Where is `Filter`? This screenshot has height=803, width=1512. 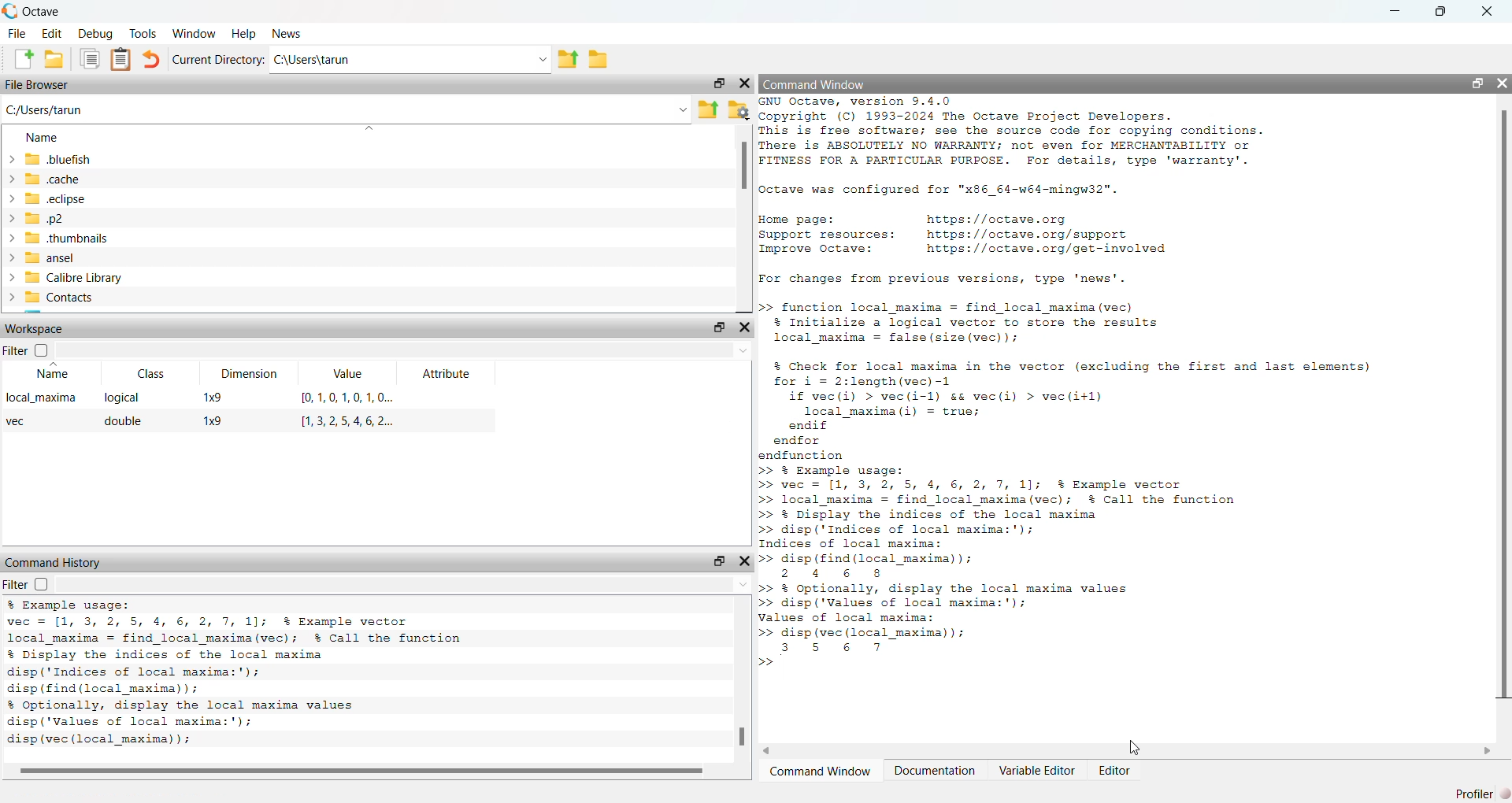 Filter is located at coordinates (26, 350).